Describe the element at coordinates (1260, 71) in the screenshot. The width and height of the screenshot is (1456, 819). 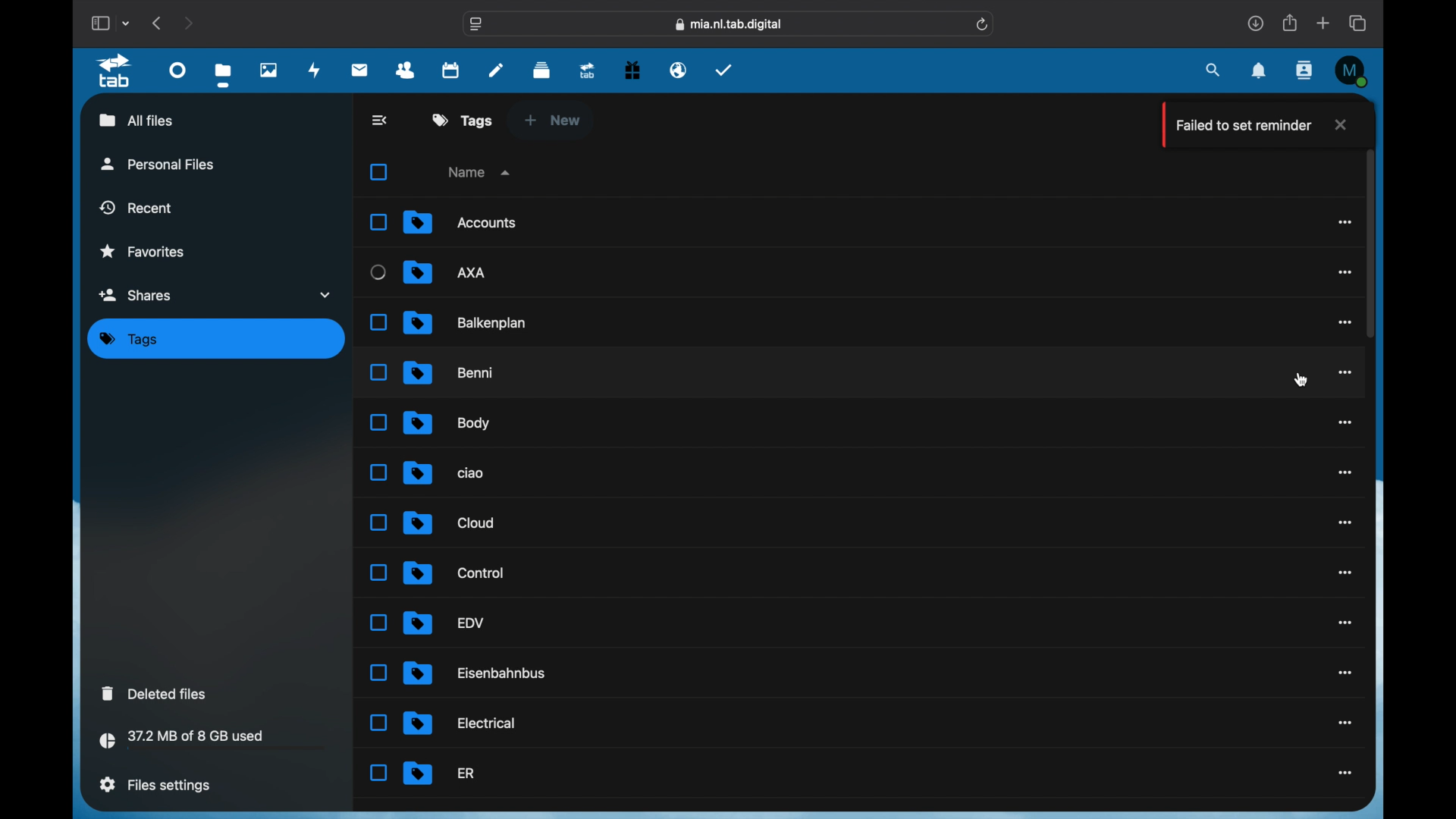
I see `notifications` at that location.